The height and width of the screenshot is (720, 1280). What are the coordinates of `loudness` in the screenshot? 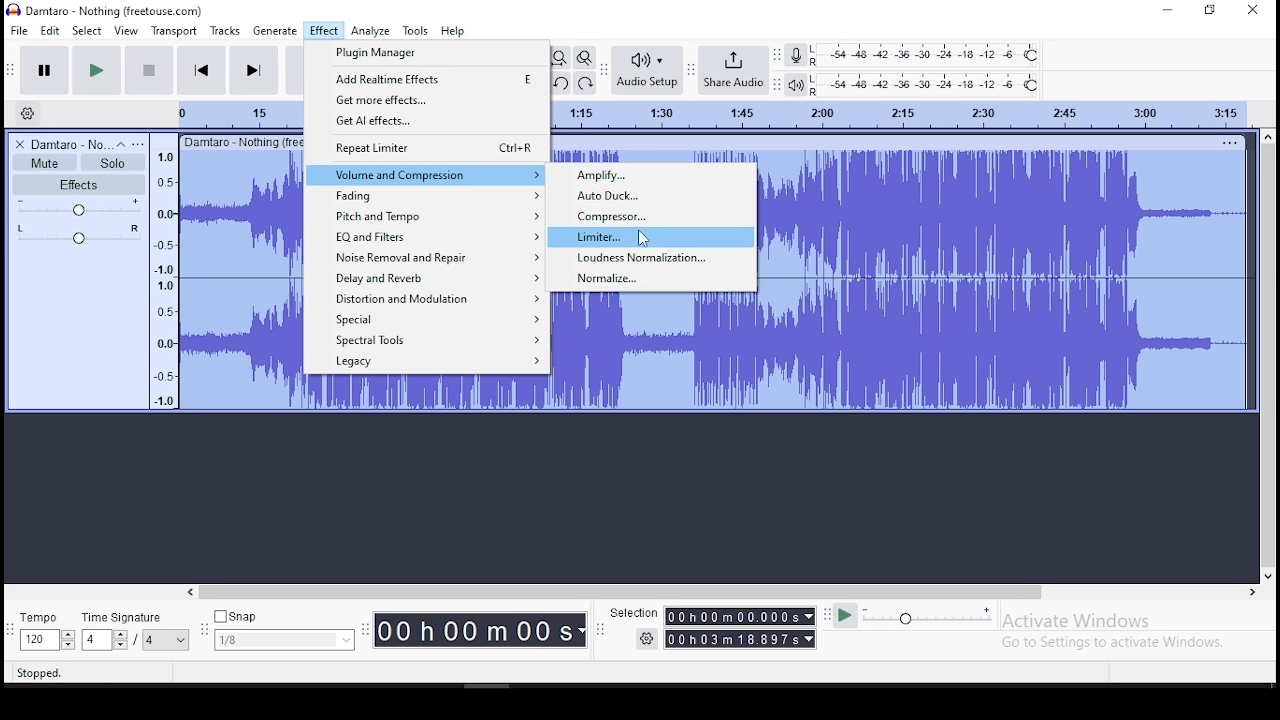 It's located at (652, 259).